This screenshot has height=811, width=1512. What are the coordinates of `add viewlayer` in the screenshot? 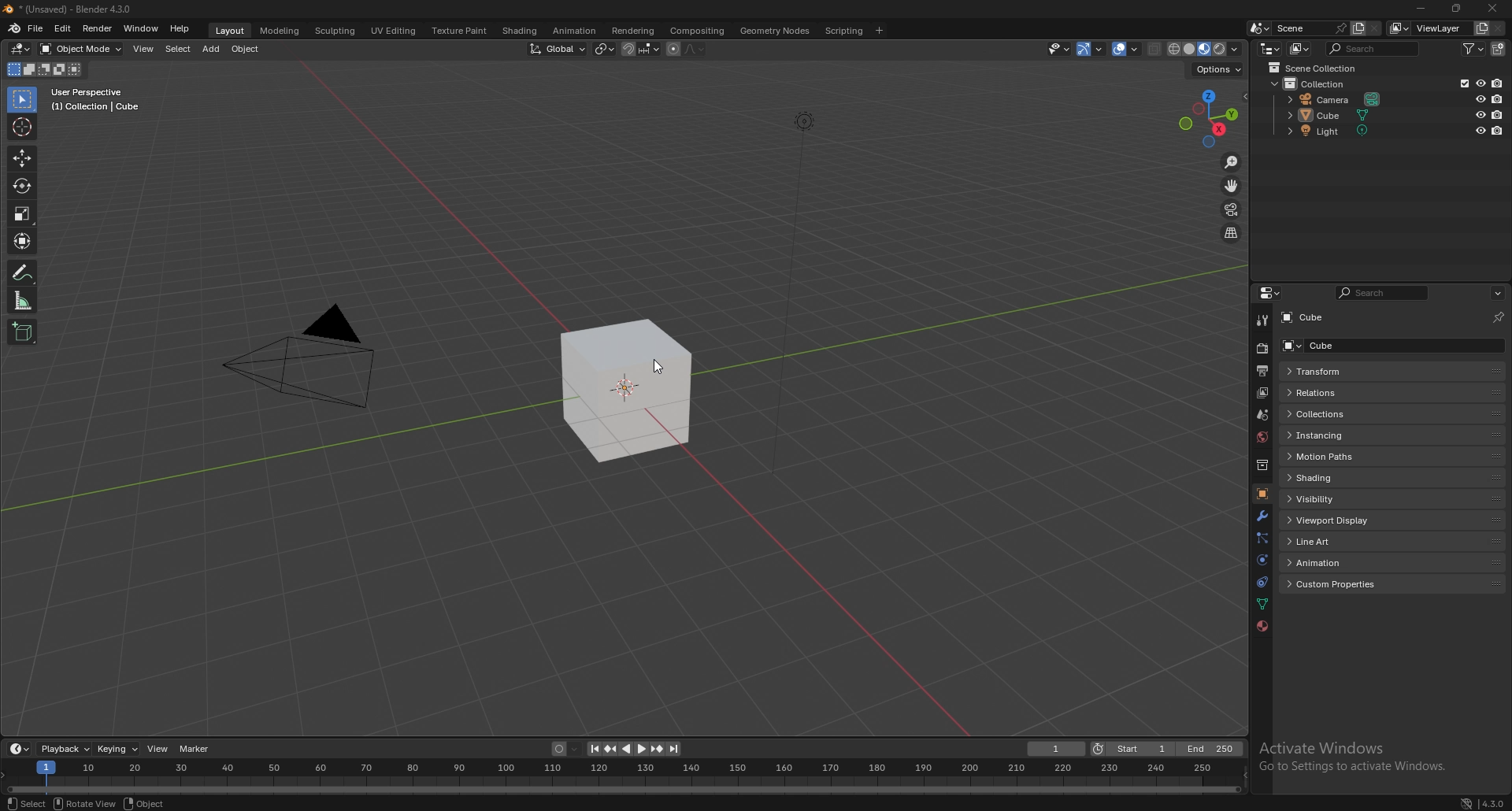 It's located at (1480, 28).